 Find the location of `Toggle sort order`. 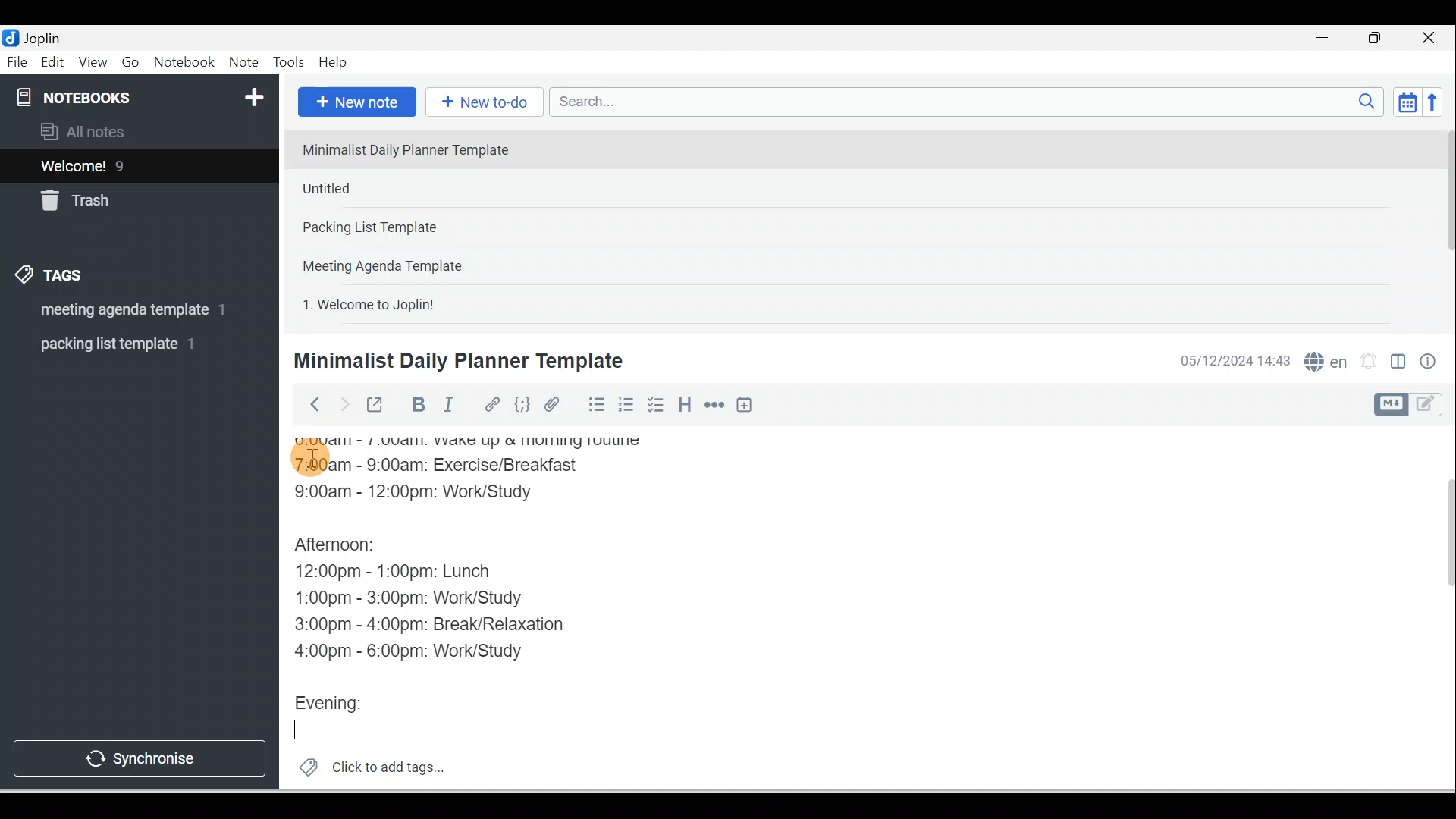

Toggle sort order is located at coordinates (1407, 101).